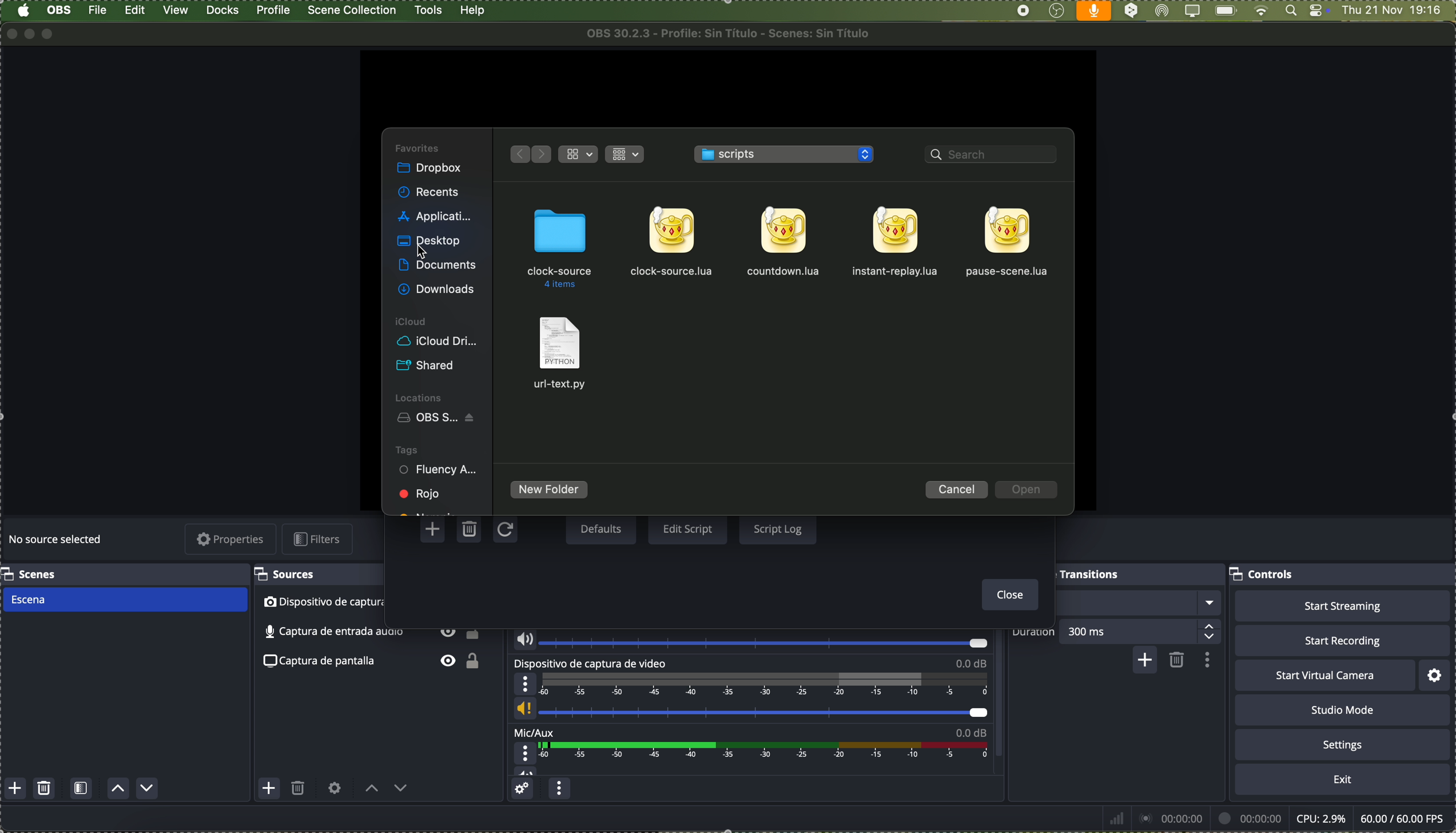  What do you see at coordinates (786, 155) in the screenshot?
I see `scripts` at bounding box center [786, 155].